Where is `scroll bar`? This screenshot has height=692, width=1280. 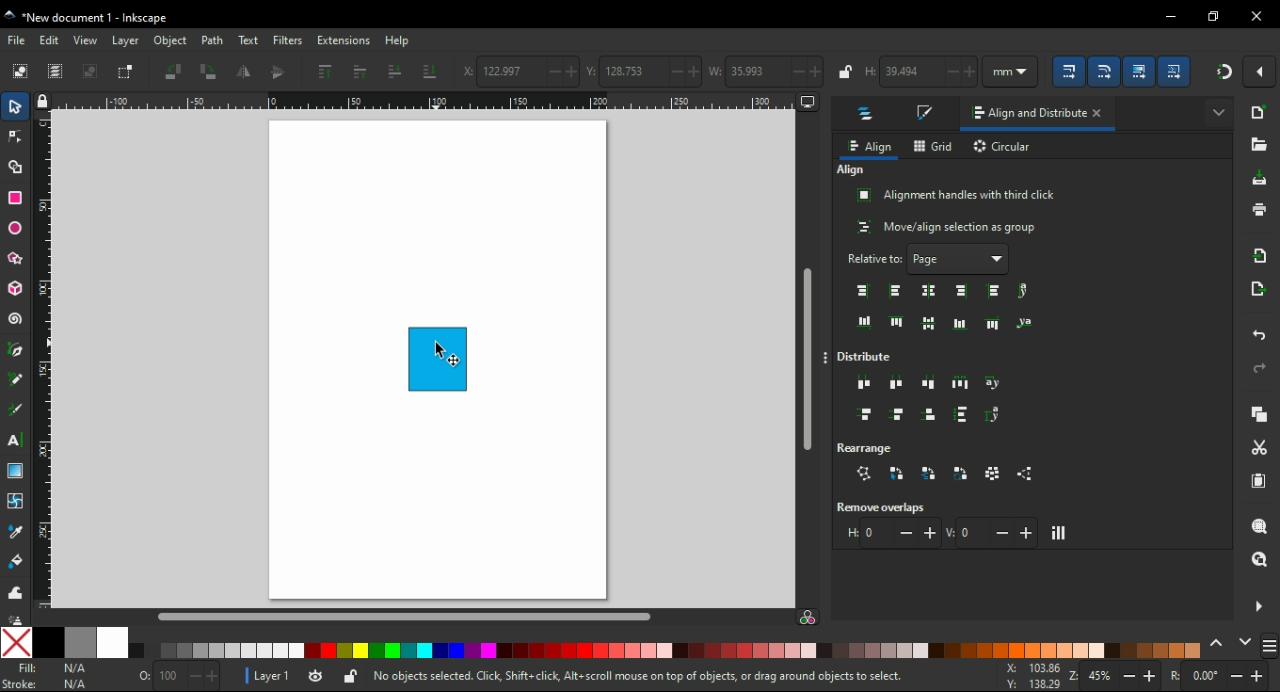
scroll bar is located at coordinates (418, 616).